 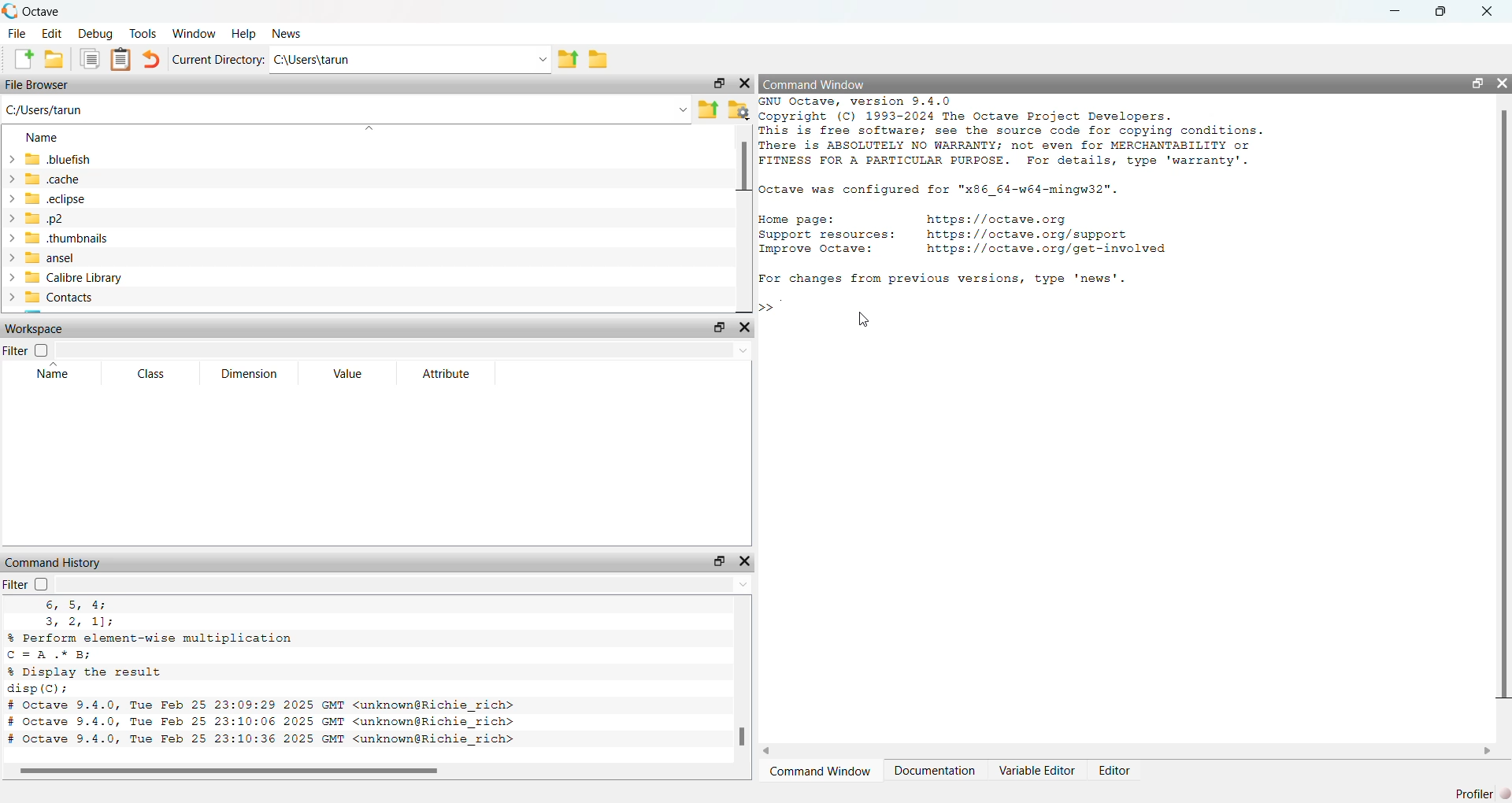 I want to click on Class, so click(x=153, y=373).